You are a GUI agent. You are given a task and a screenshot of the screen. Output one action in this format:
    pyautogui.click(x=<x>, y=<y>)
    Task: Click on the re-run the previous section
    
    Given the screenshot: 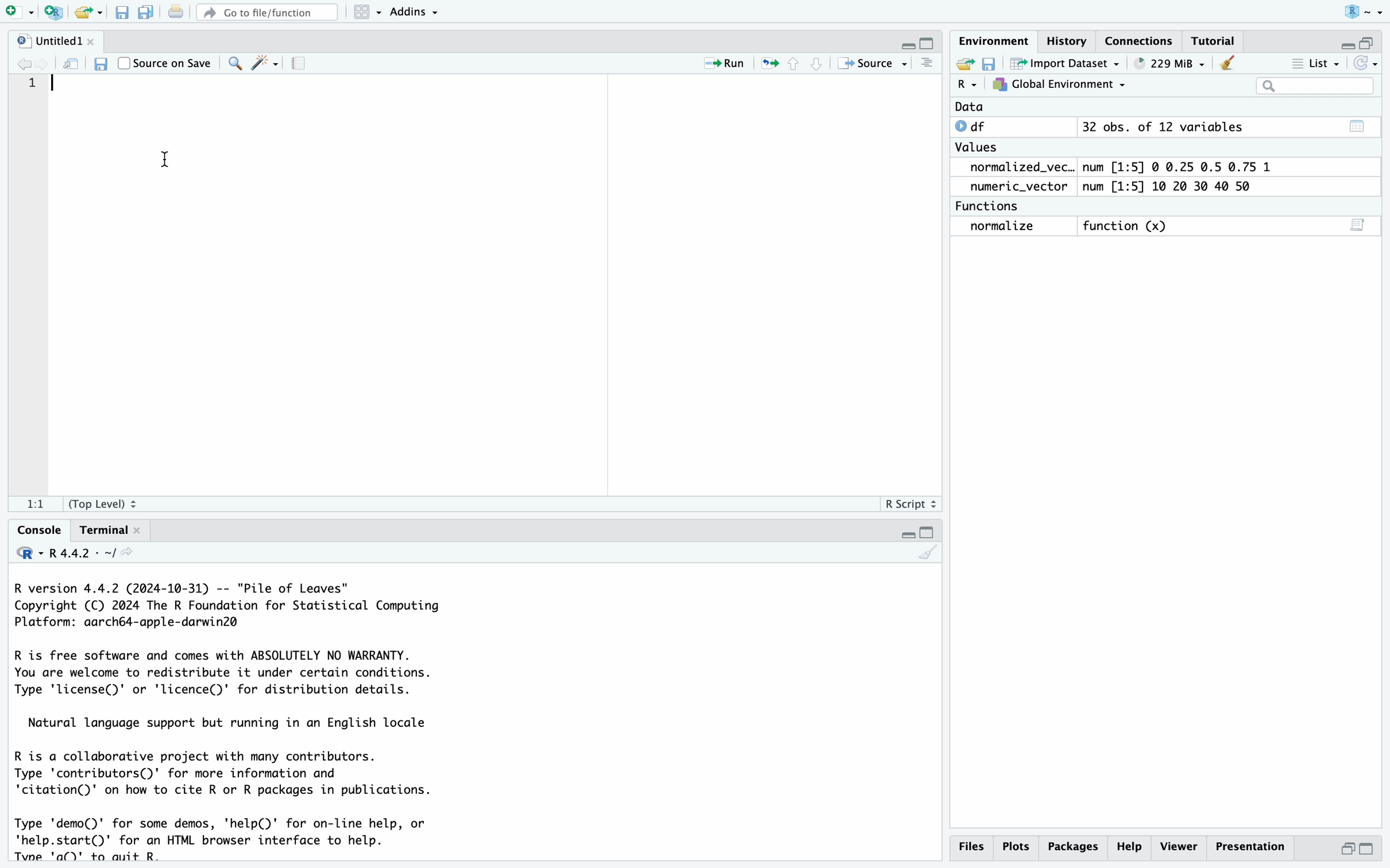 What is the action you would take?
    pyautogui.click(x=770, y=64)
    